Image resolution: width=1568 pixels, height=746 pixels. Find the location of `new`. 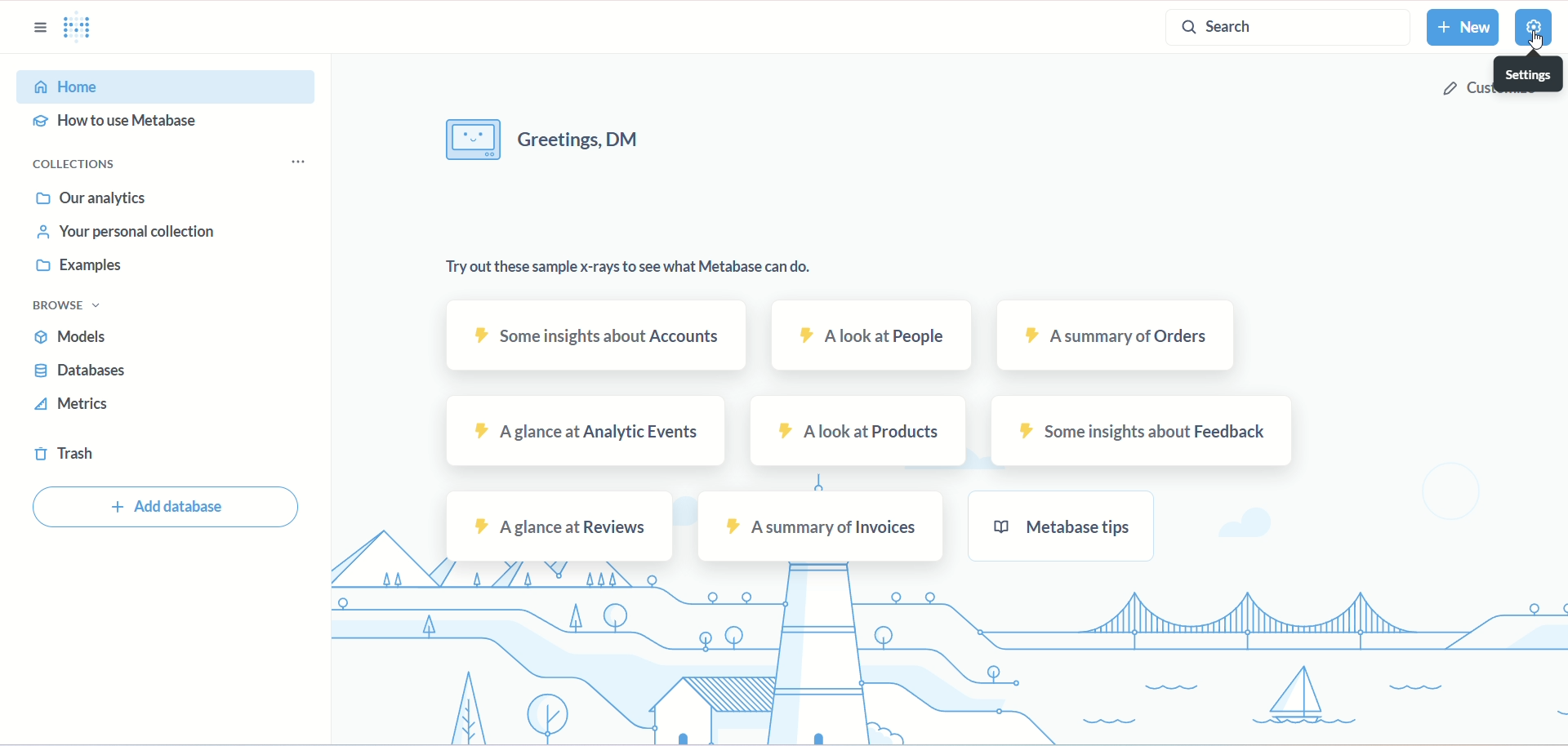

new is located at coordinates (1463, 28).